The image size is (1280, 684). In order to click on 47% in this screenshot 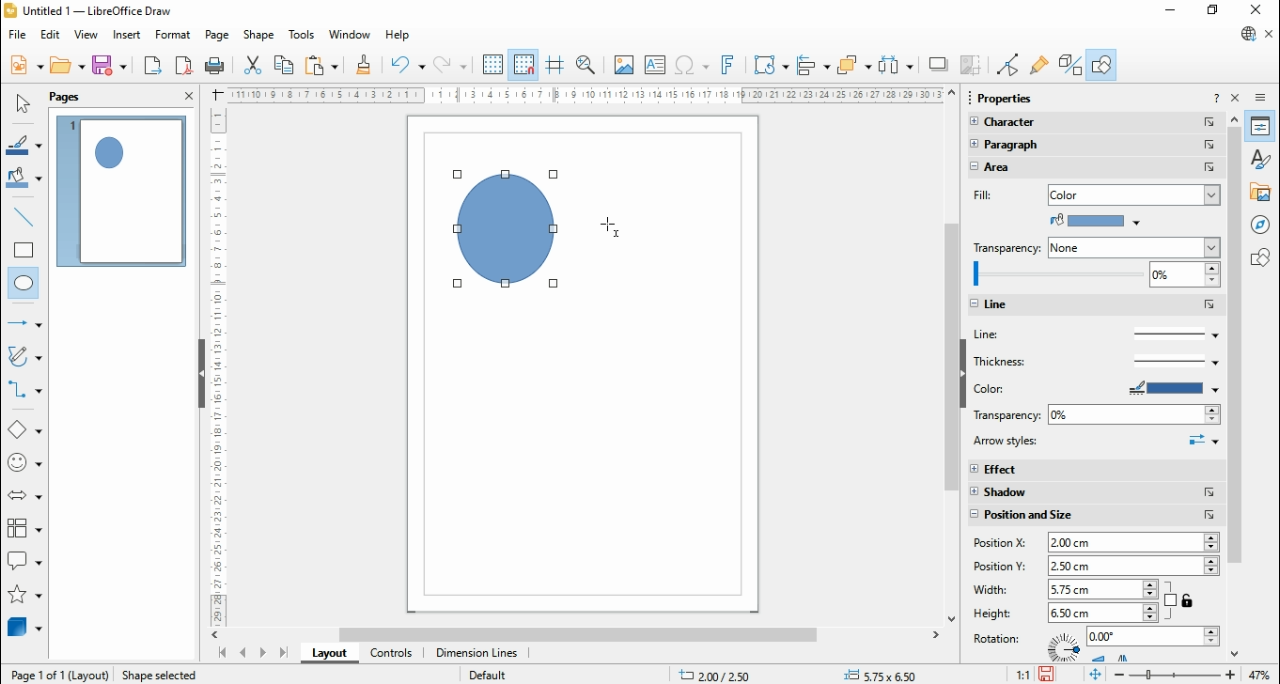, I will do `click(1262, 674)`.